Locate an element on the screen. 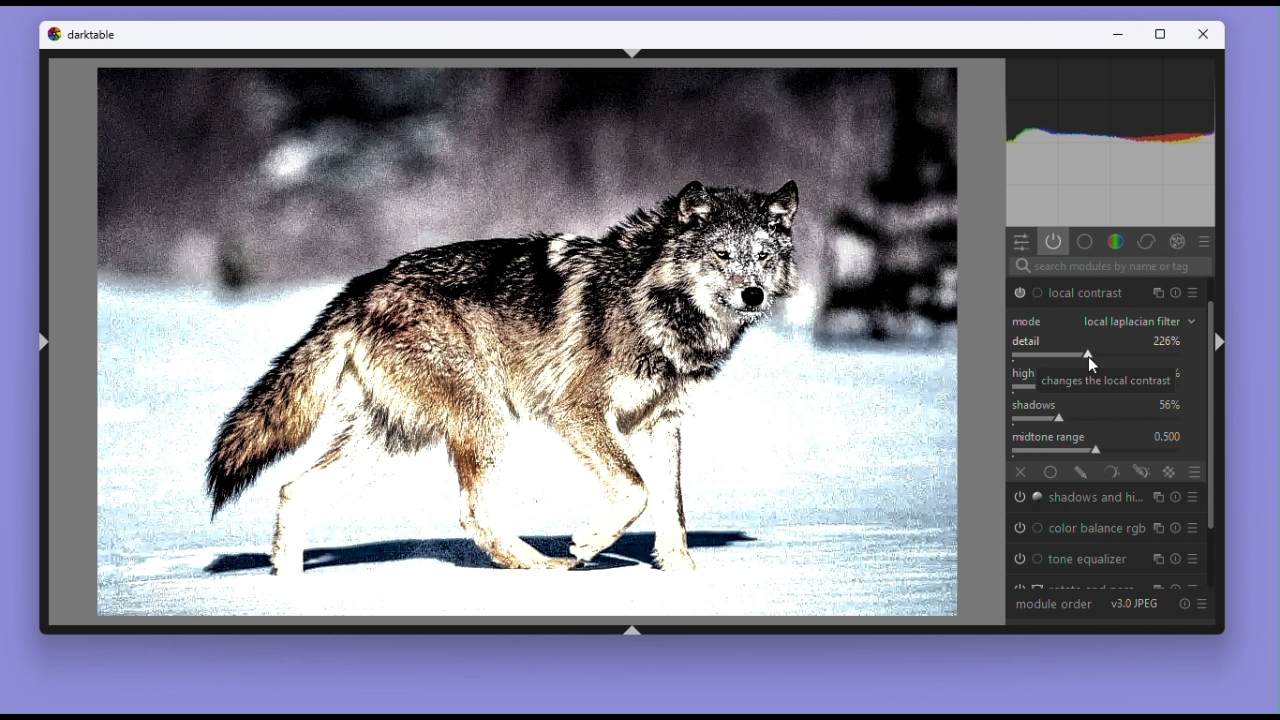 The image size is (1280, 720). Histogram is located at coordinates (1110, 145).